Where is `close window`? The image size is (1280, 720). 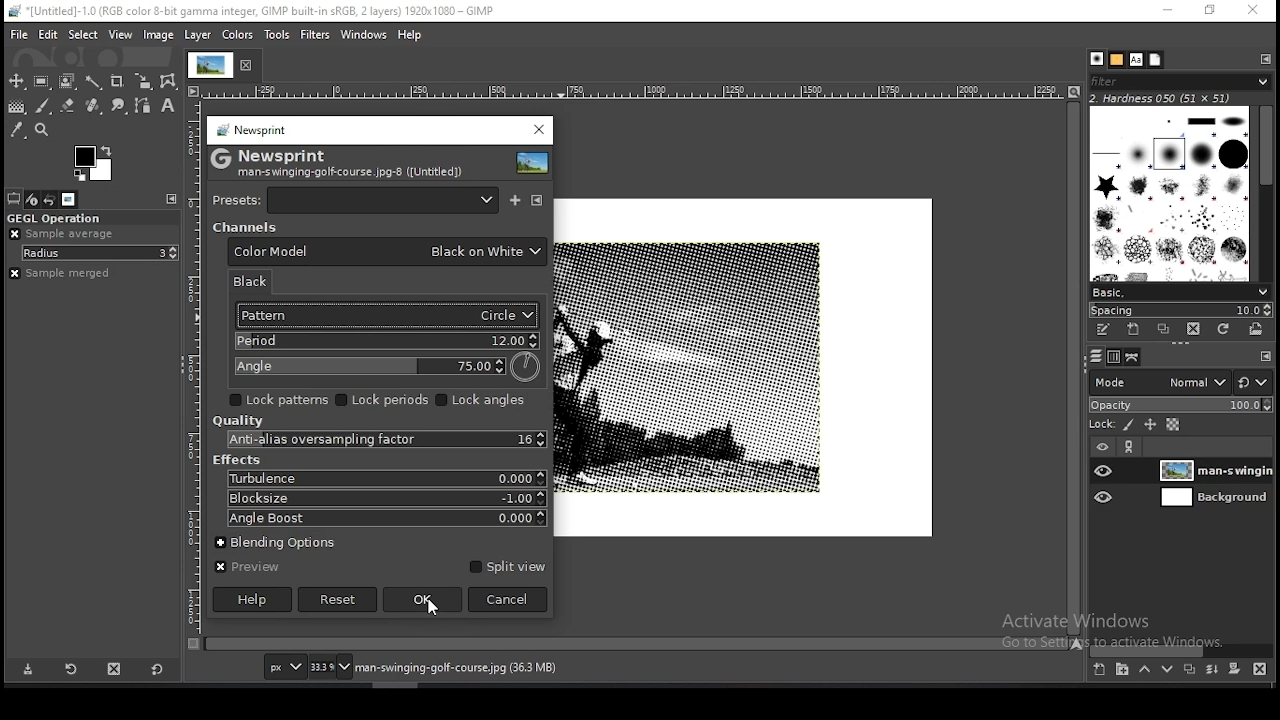 close window is located at coordinates (538, 130).